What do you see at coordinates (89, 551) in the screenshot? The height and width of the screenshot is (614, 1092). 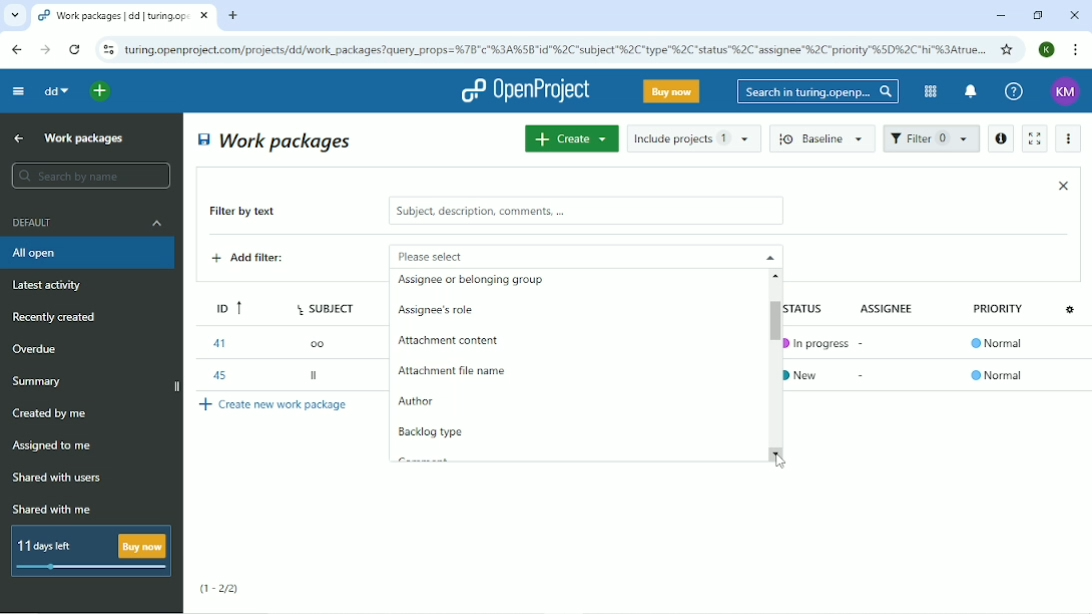 I see `11 days left buy now` at bounding box center [89, 551].